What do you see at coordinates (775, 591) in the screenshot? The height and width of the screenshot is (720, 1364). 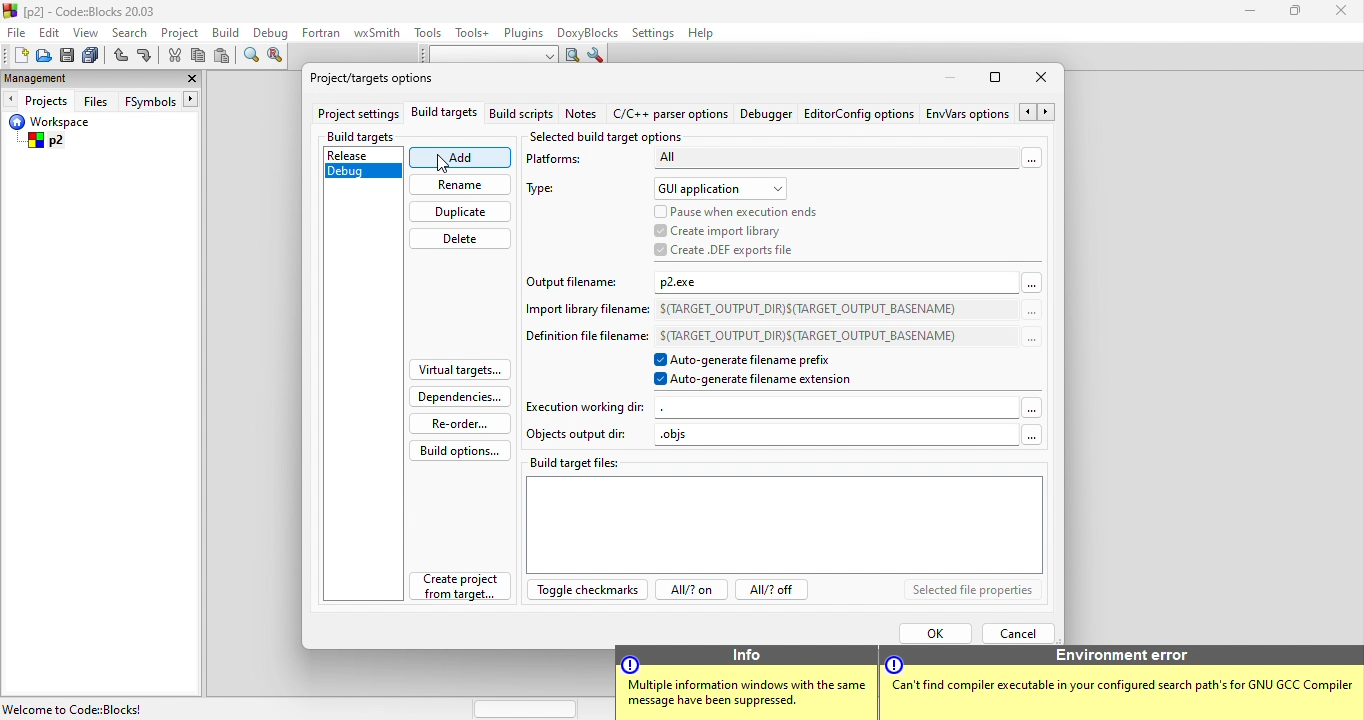 I see `all? off` at bounding box center [775, 591].